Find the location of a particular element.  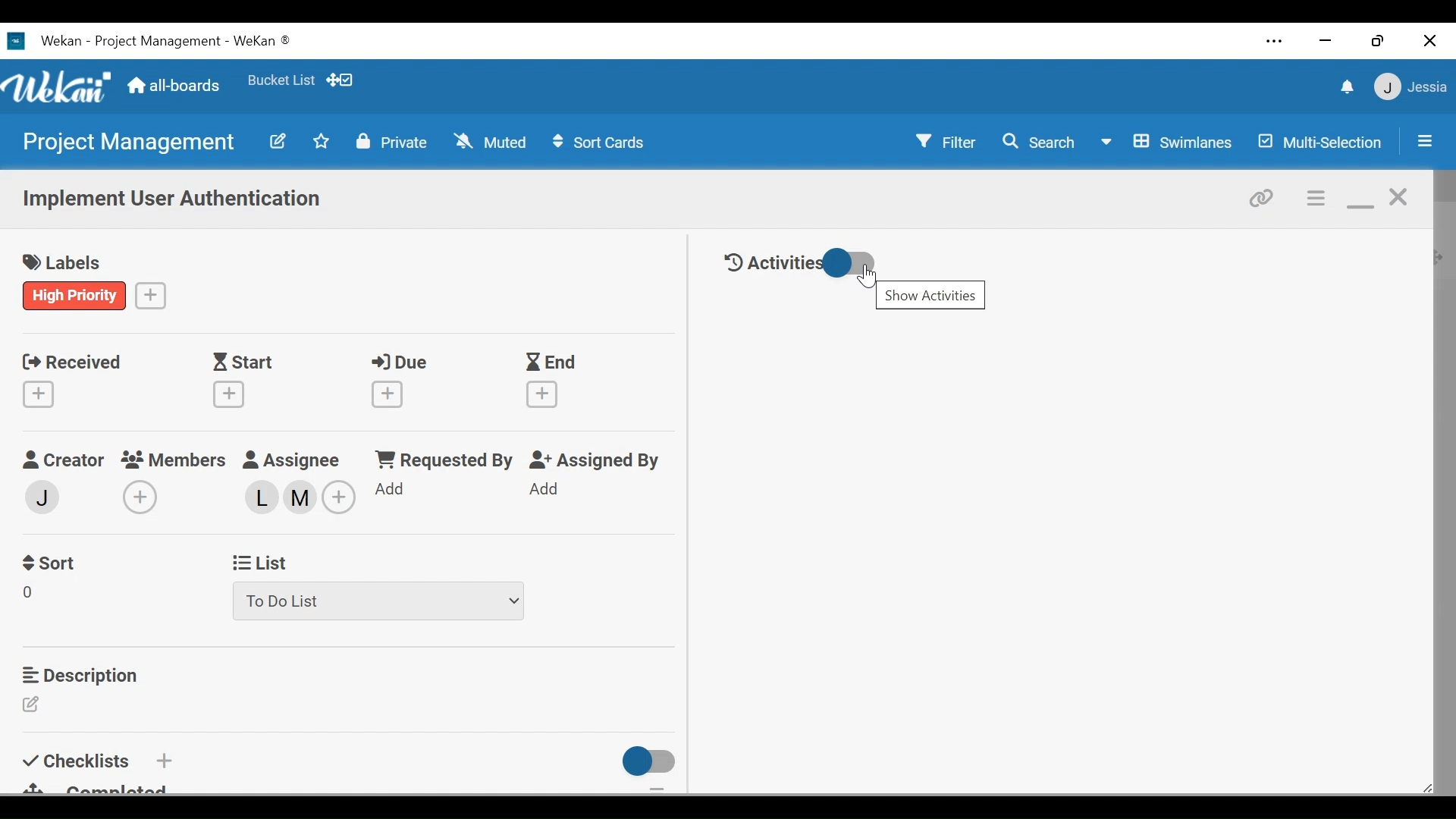

Wekan Desktop Icon is located at coordinates (17, 42).